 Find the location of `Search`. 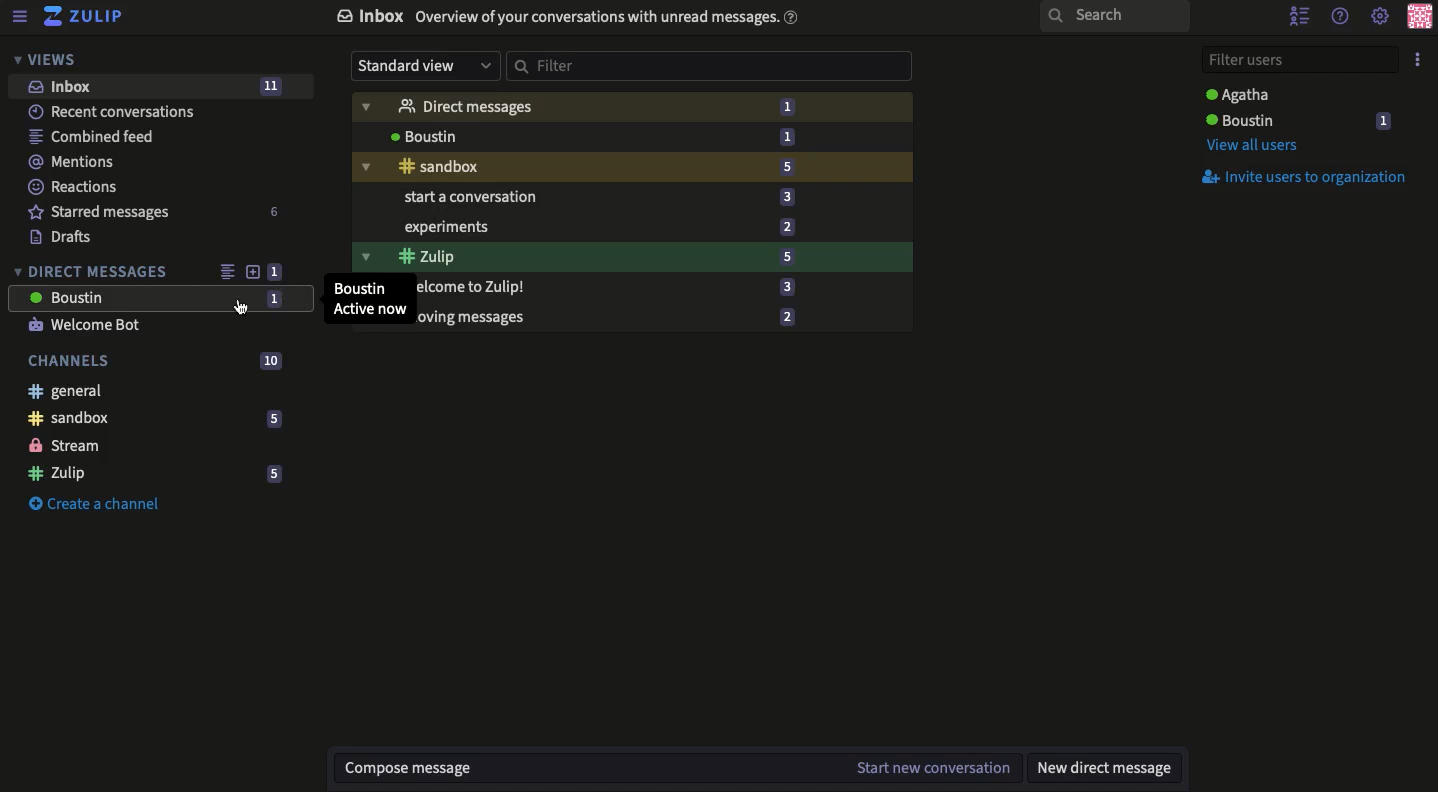

Search is located at coordinates (1115, 18).